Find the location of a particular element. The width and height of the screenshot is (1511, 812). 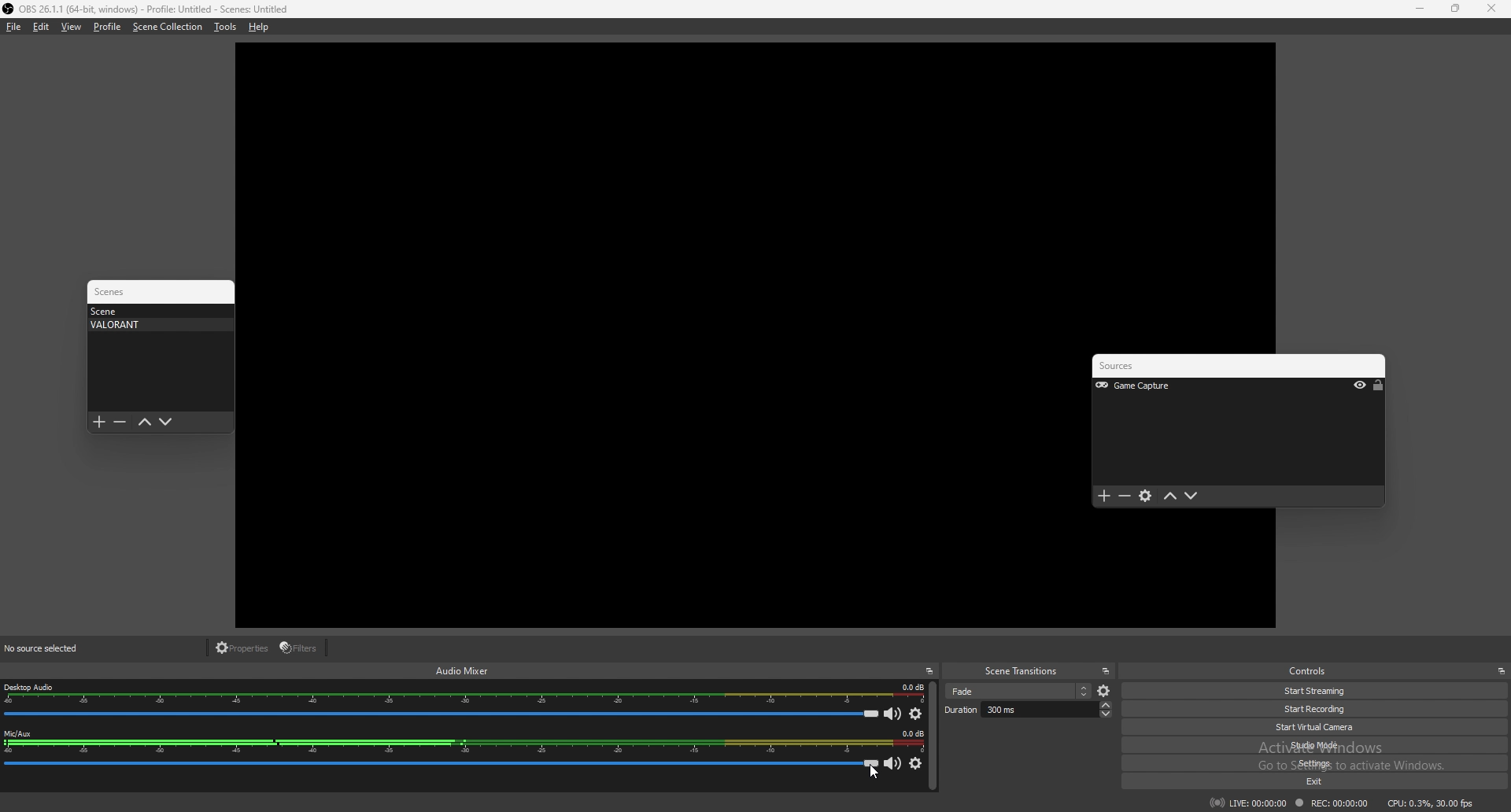

mic/aux bar is located at coordinates (441, 767).